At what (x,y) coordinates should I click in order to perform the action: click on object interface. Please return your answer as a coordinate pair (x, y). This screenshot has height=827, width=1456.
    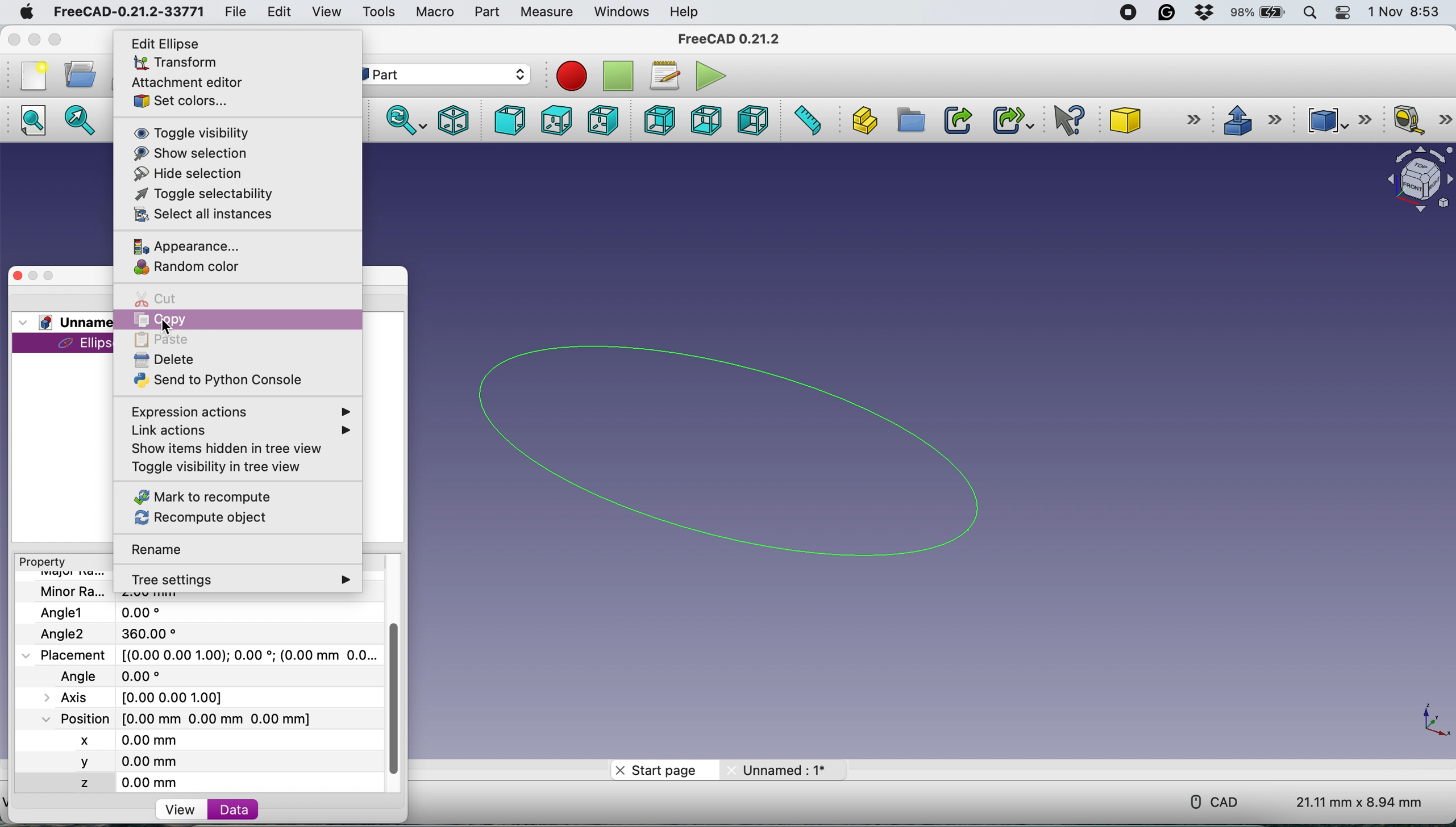
    Looking at the image, I should click on (1411, 177).